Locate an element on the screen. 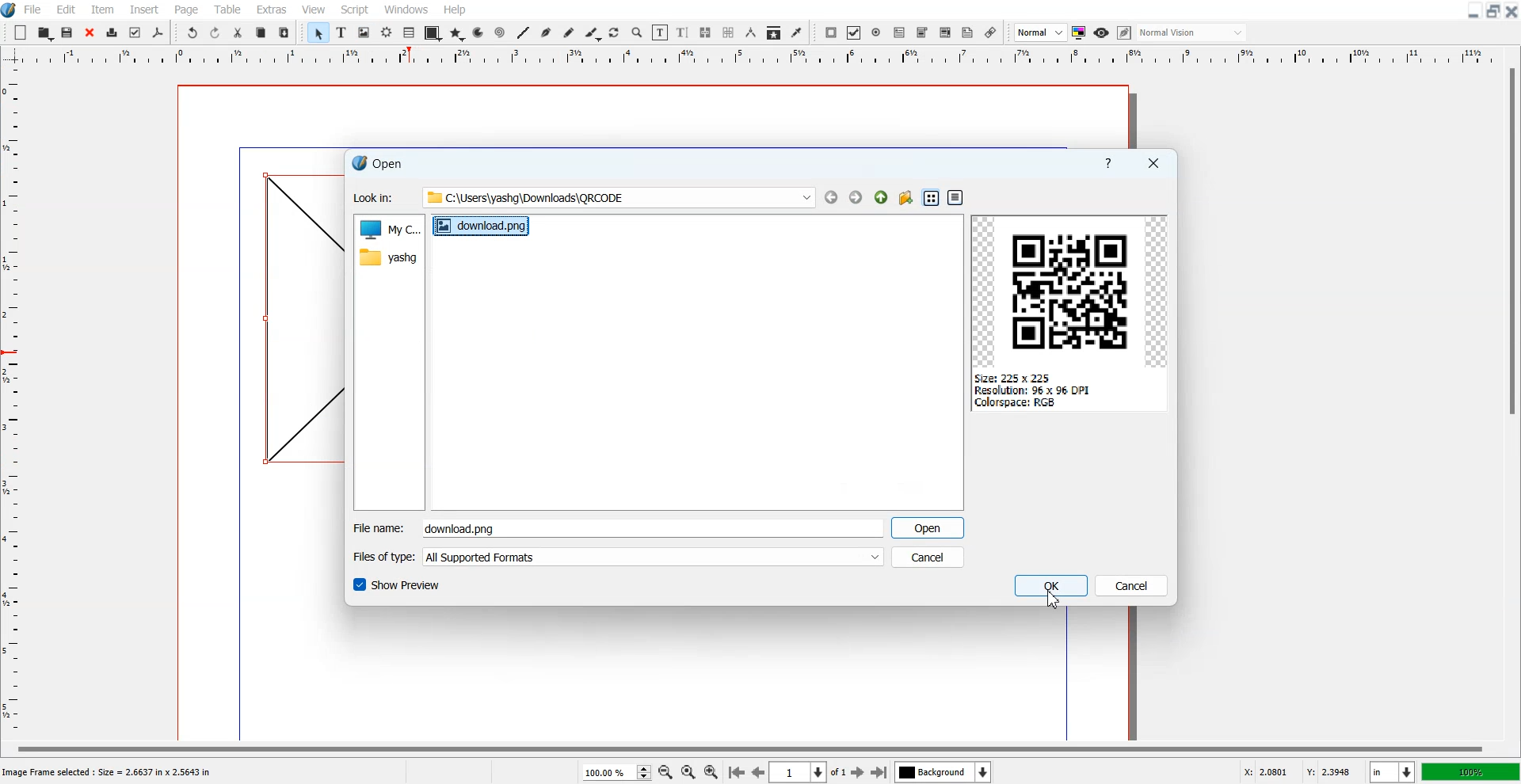 The height and width of the screenshot is (784, 1521). Measurements  is located at coordinates (750, 32).